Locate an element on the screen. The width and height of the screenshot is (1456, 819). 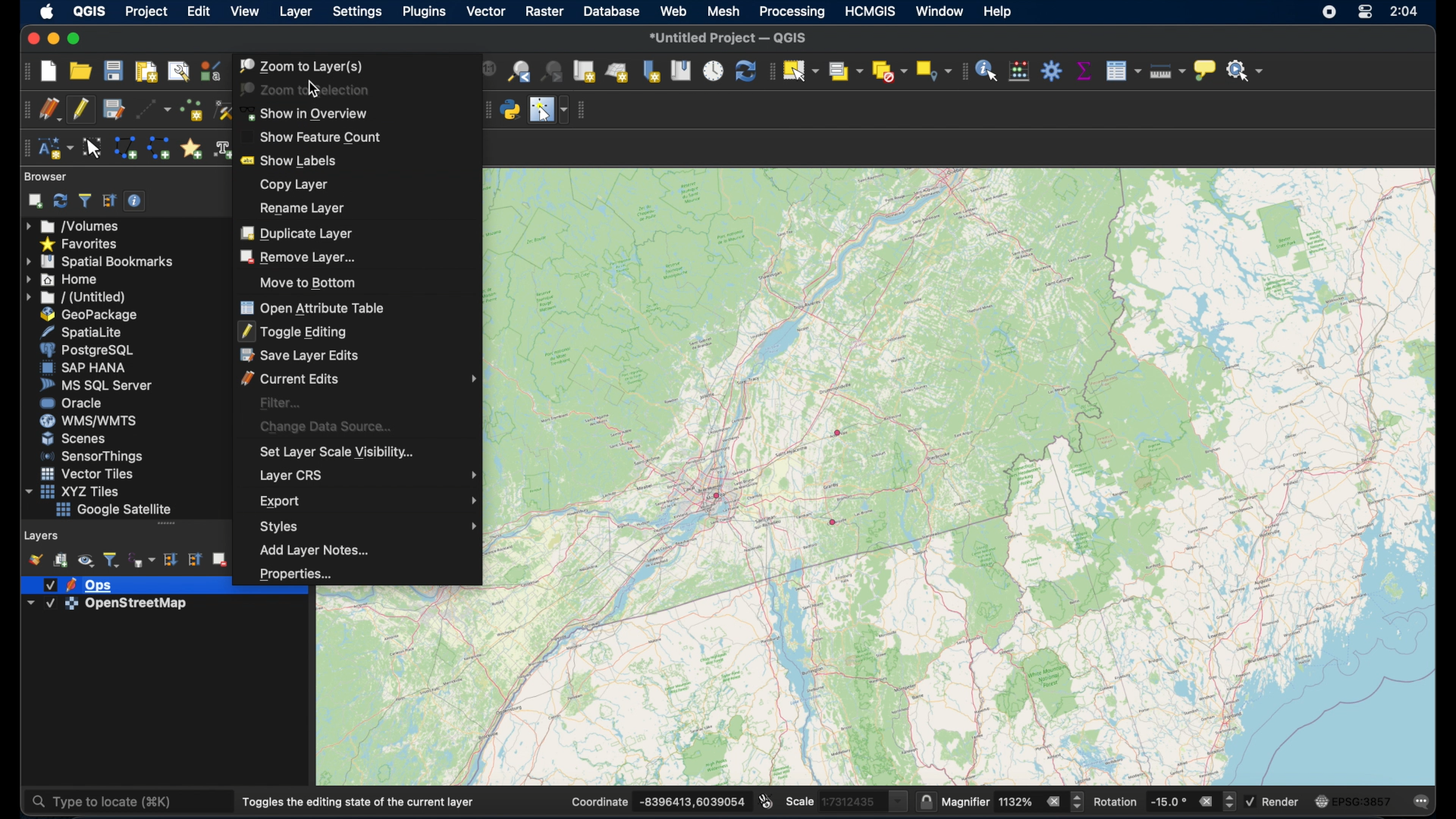
collapse all is located at coordinates (194, 559).